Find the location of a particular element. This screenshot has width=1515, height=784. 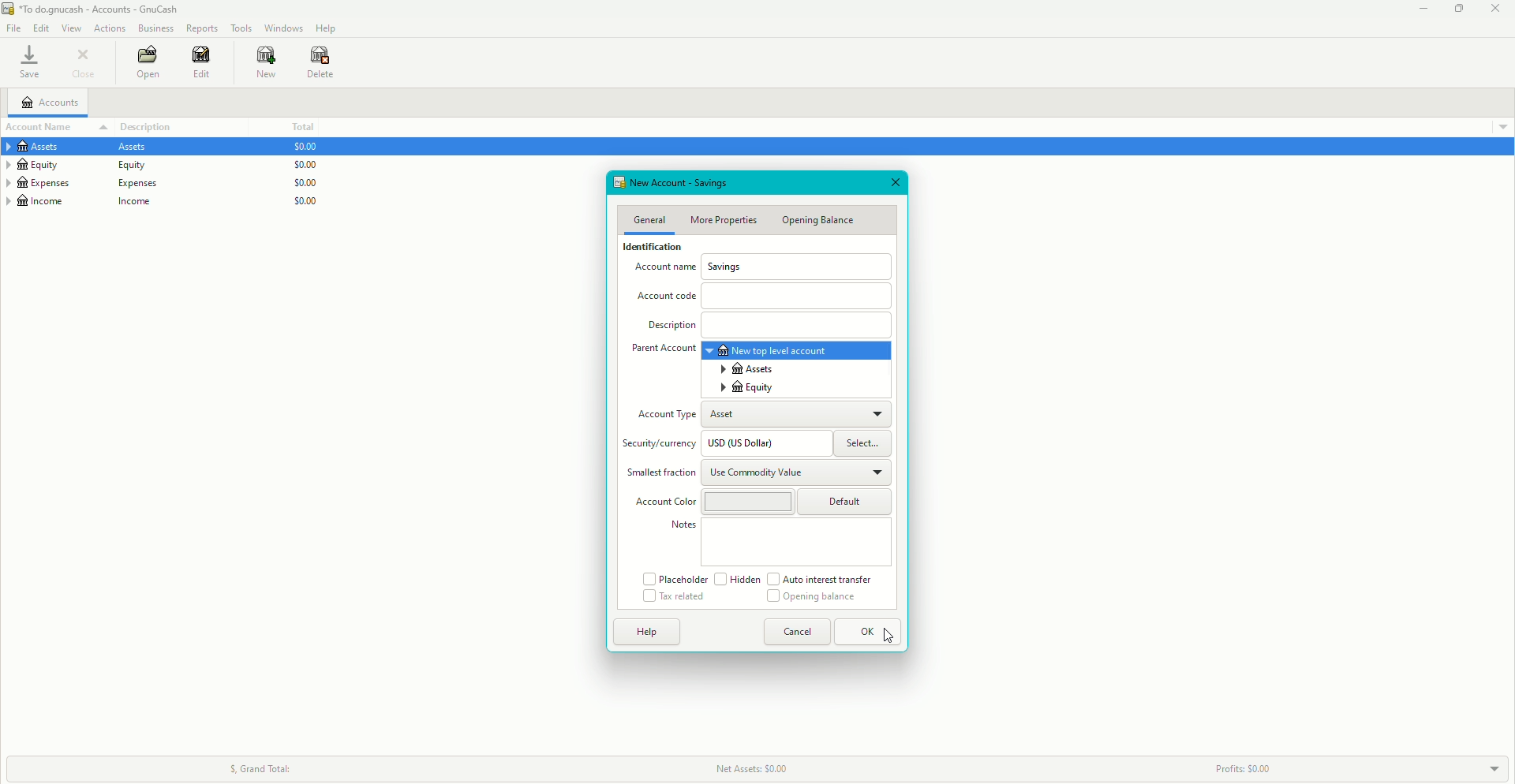

Accounts is located at coordinates (54, 104).